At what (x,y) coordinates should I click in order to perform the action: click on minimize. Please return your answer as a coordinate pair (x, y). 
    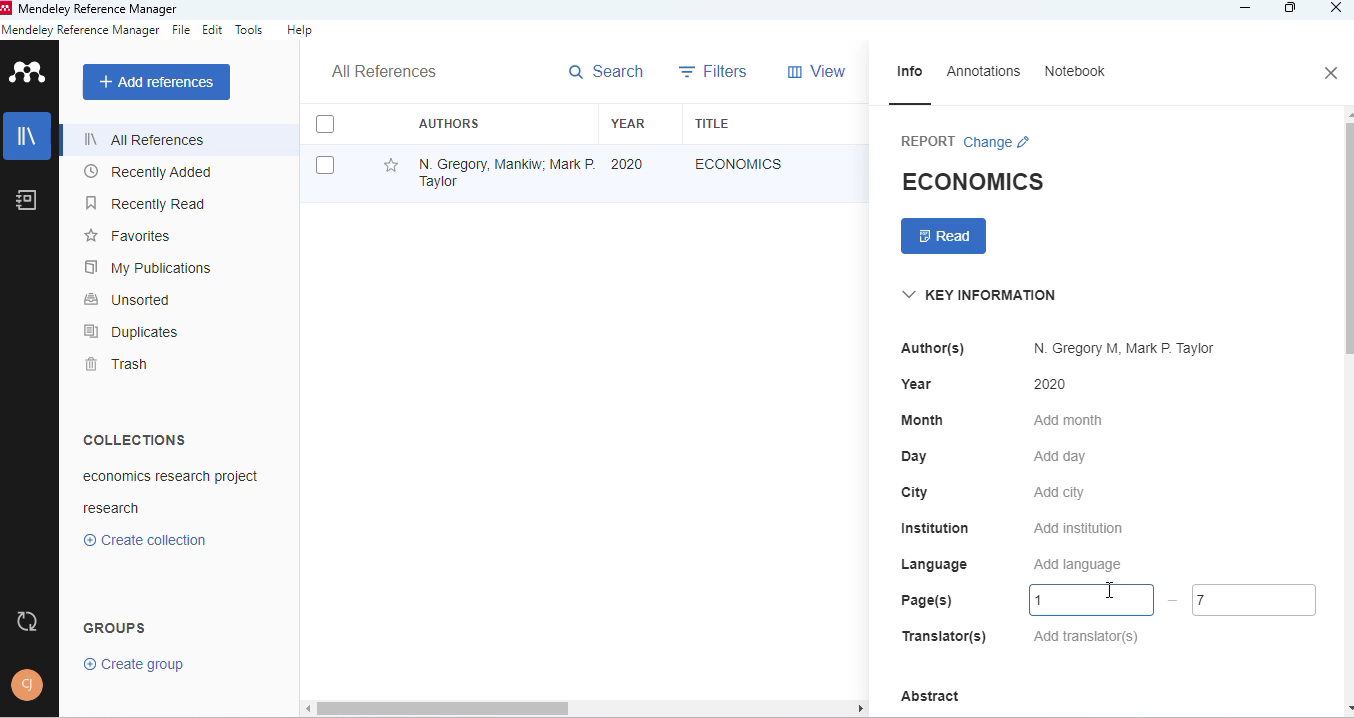
    Looking at the image, I should click on (1247, 9).